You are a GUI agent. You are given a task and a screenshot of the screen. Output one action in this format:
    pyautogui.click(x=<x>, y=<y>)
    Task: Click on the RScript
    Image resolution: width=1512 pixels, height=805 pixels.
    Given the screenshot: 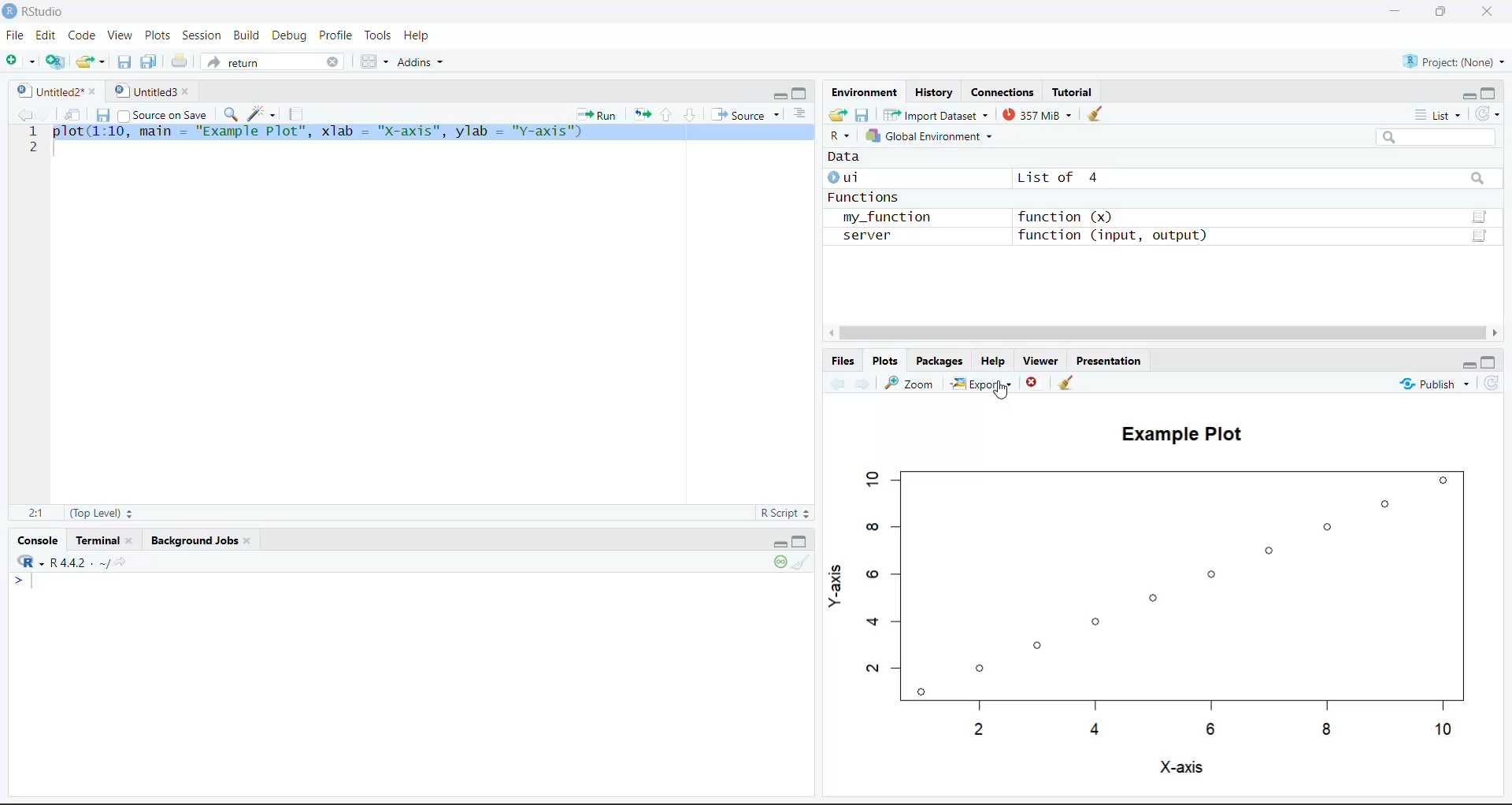 What is the action you would take?
    pyautogui.click(x=784, y=514)
    